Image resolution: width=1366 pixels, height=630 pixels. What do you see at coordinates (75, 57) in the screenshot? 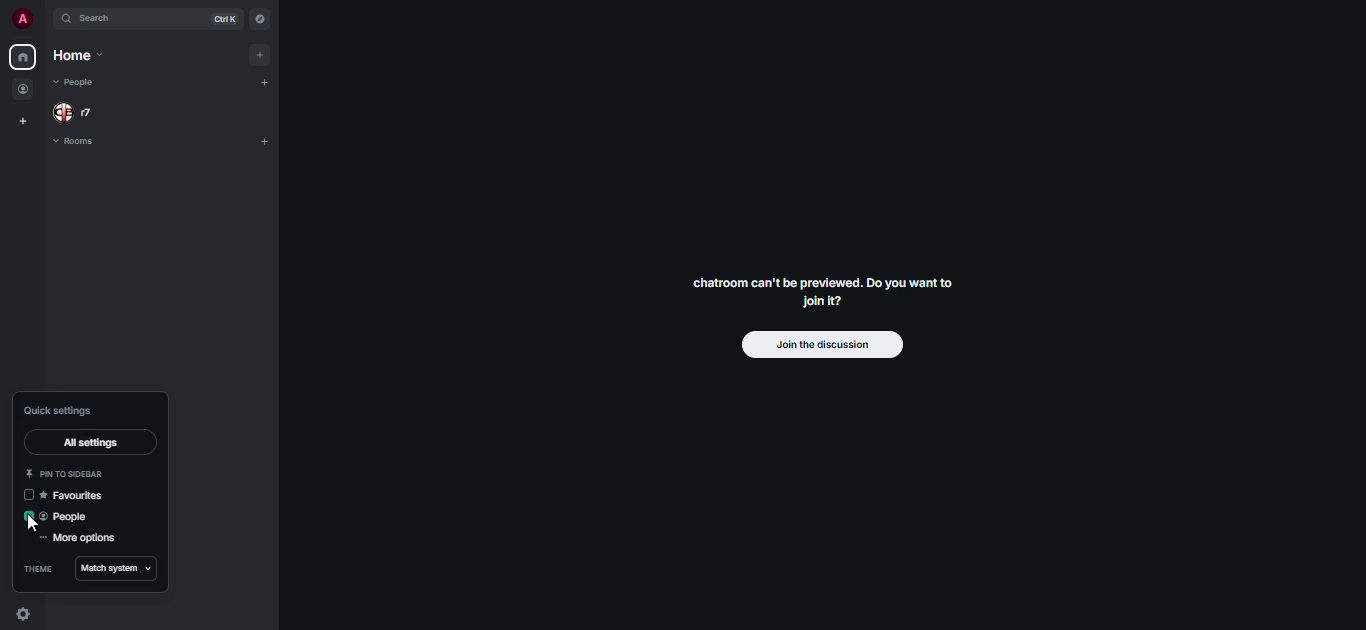
I see `home` at bounding box center [75, 57].